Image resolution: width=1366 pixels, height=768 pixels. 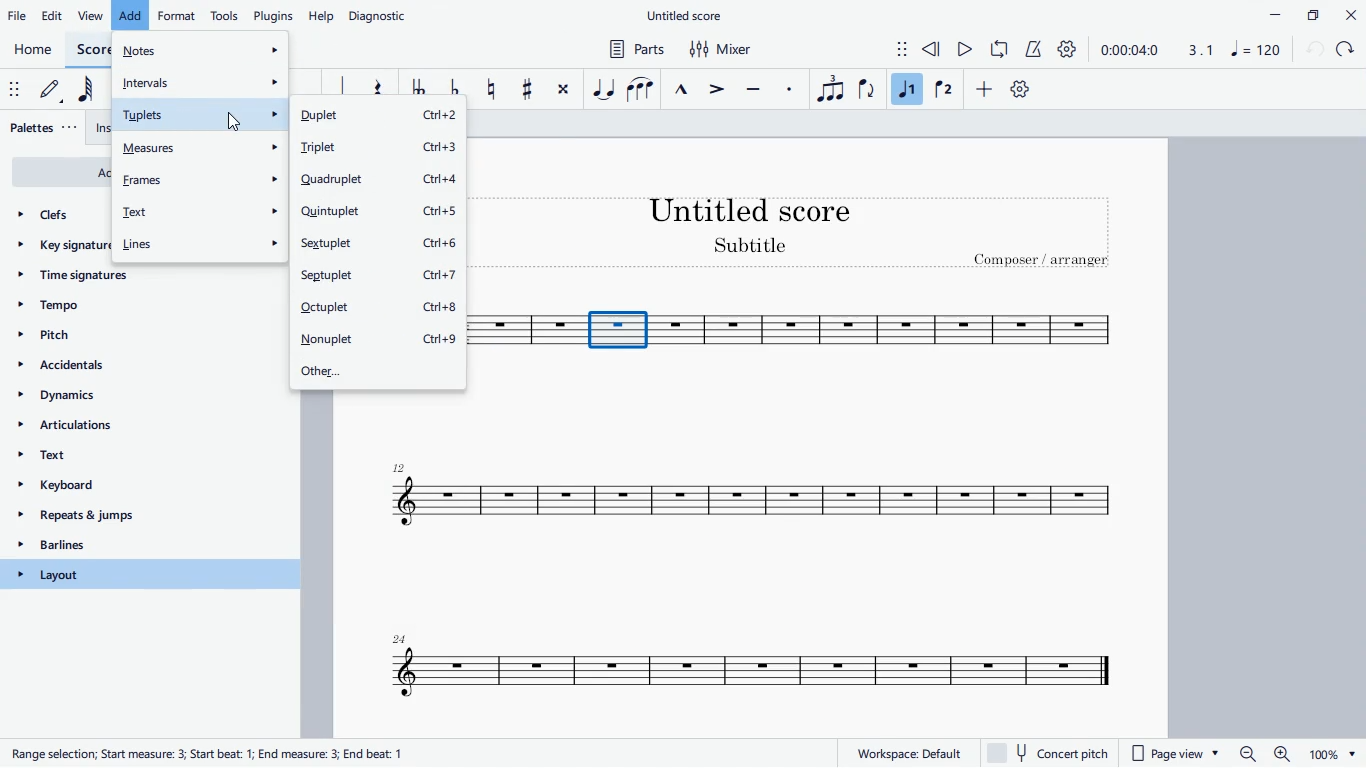 I want to click on pitch, so click(x=79, y=334).